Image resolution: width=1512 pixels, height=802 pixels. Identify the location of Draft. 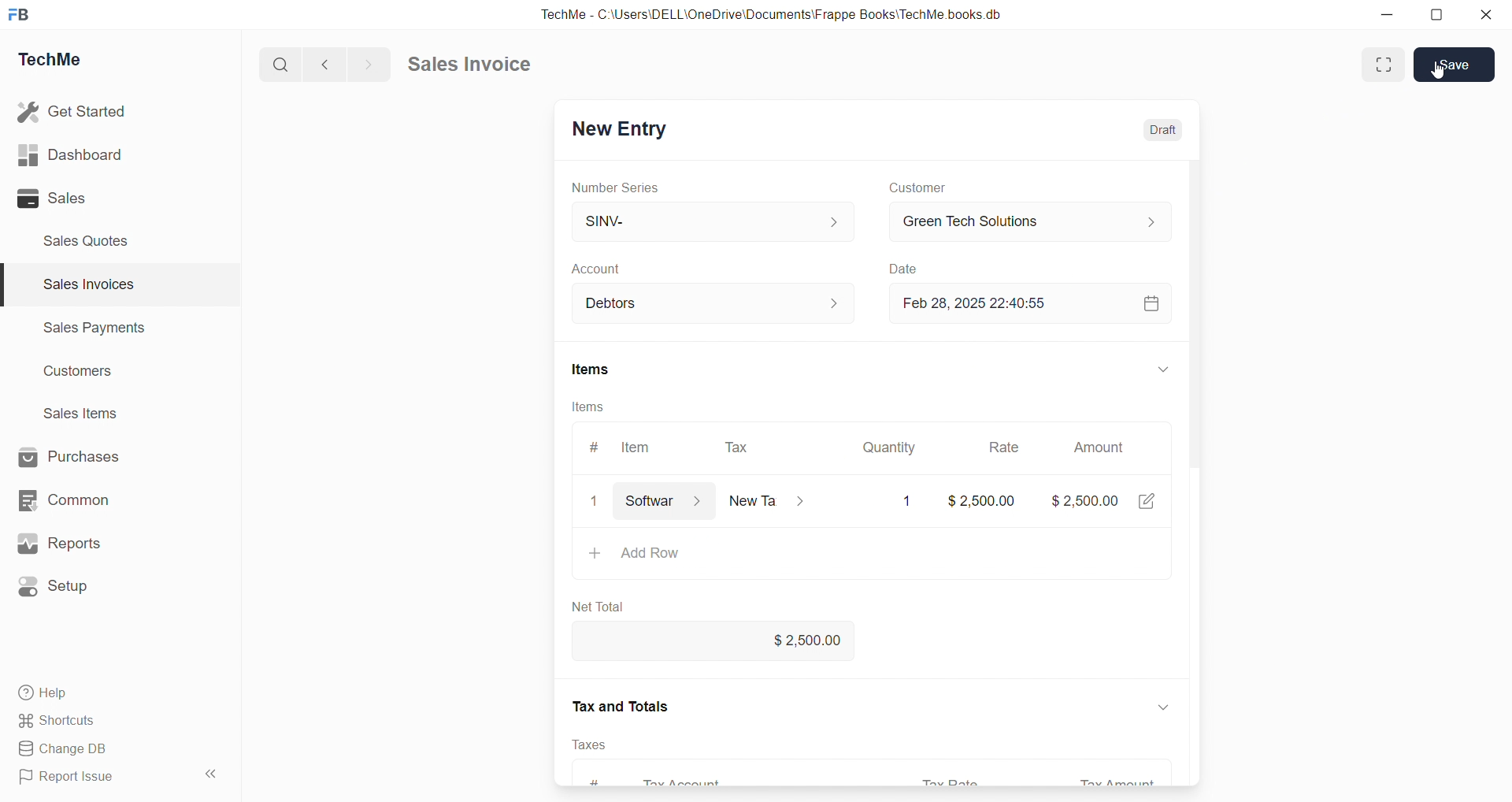
(1162, 131).